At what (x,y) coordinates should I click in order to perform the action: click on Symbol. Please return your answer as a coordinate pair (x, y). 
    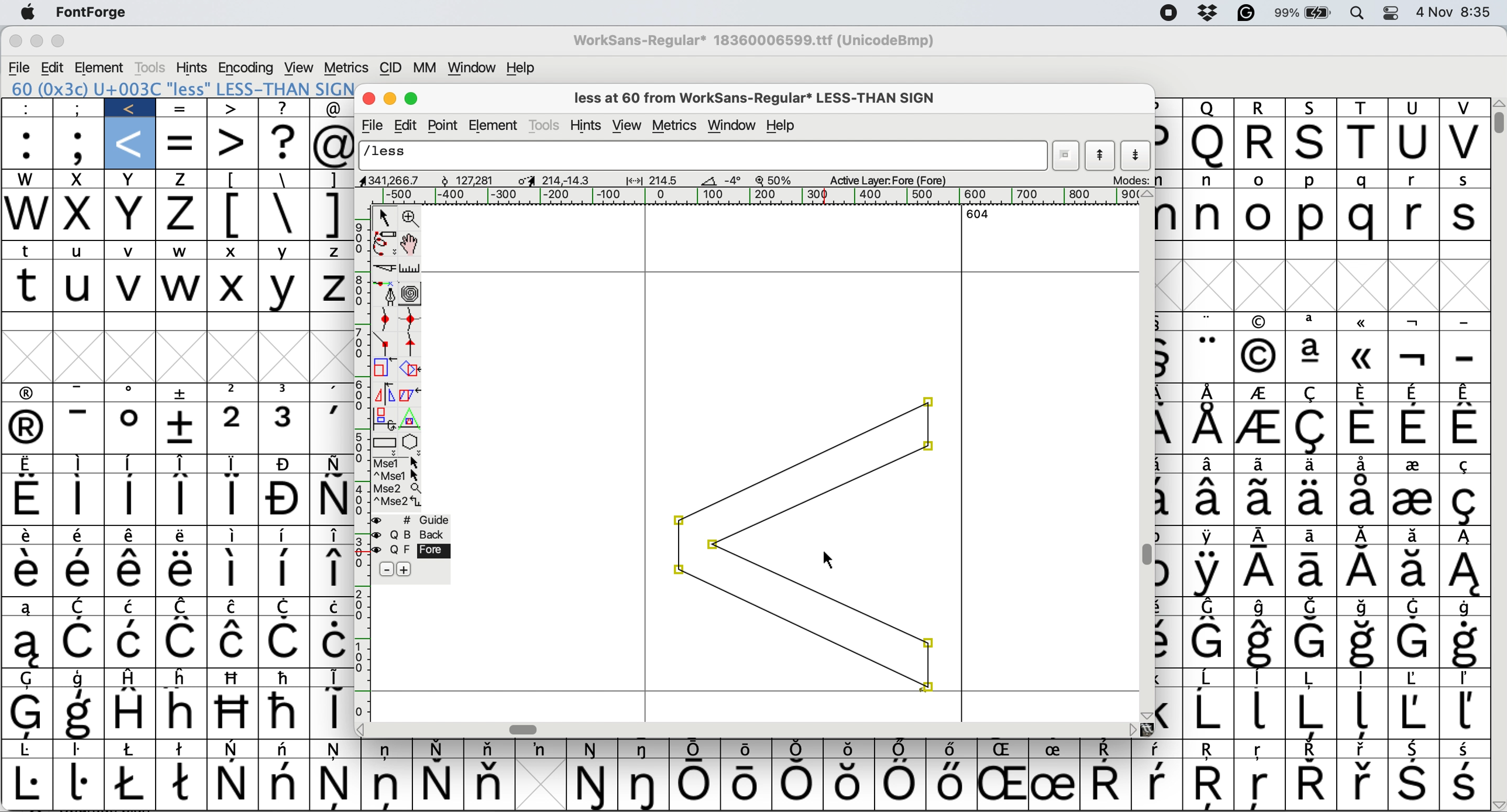
    Looking at the image, I should click on (648, 785).